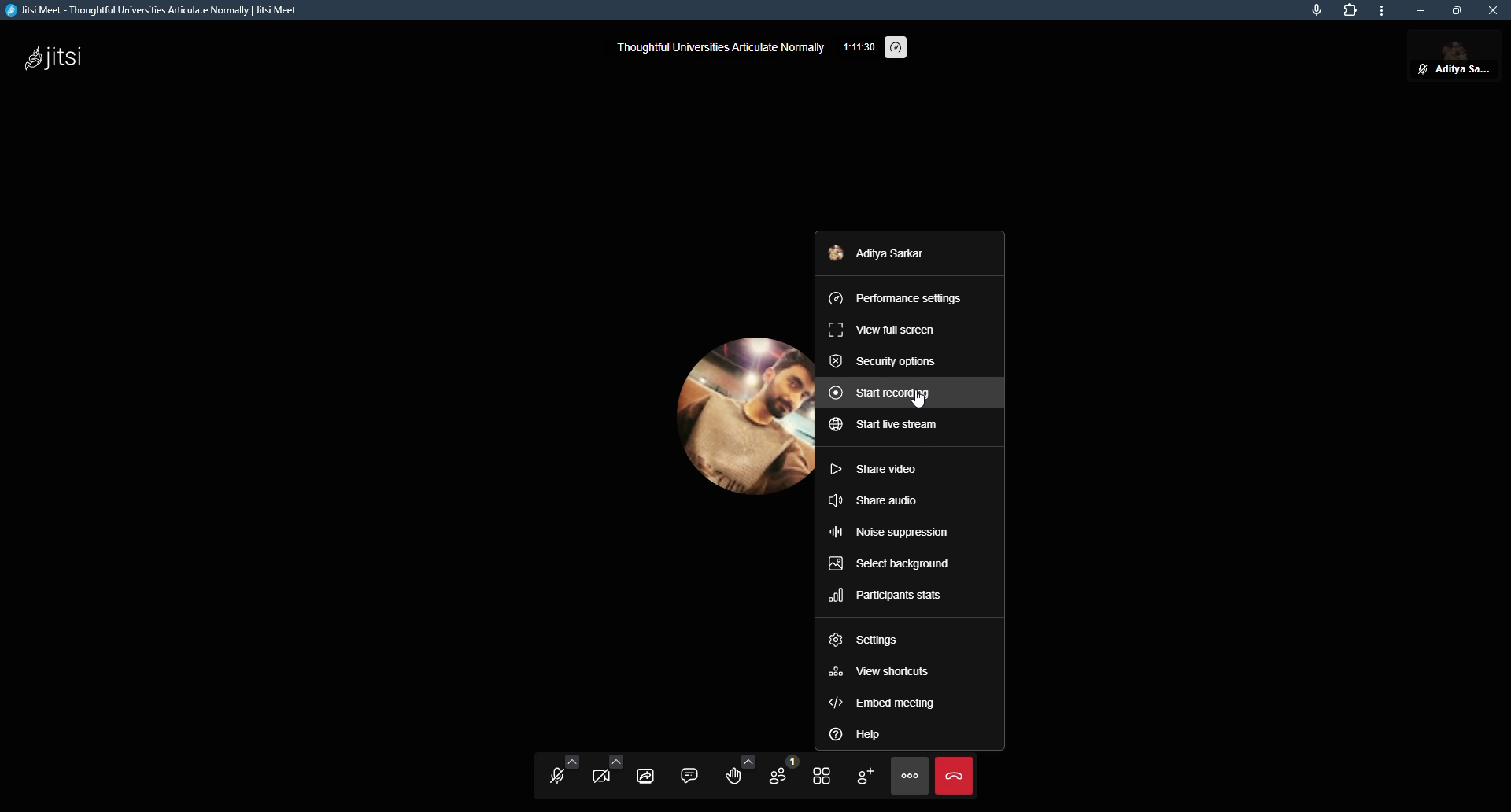 The width and height of the screenshot is (1511, 812). Describe the element at coordinates (692, 773) in the screenshot. I see `open chat` at that location.